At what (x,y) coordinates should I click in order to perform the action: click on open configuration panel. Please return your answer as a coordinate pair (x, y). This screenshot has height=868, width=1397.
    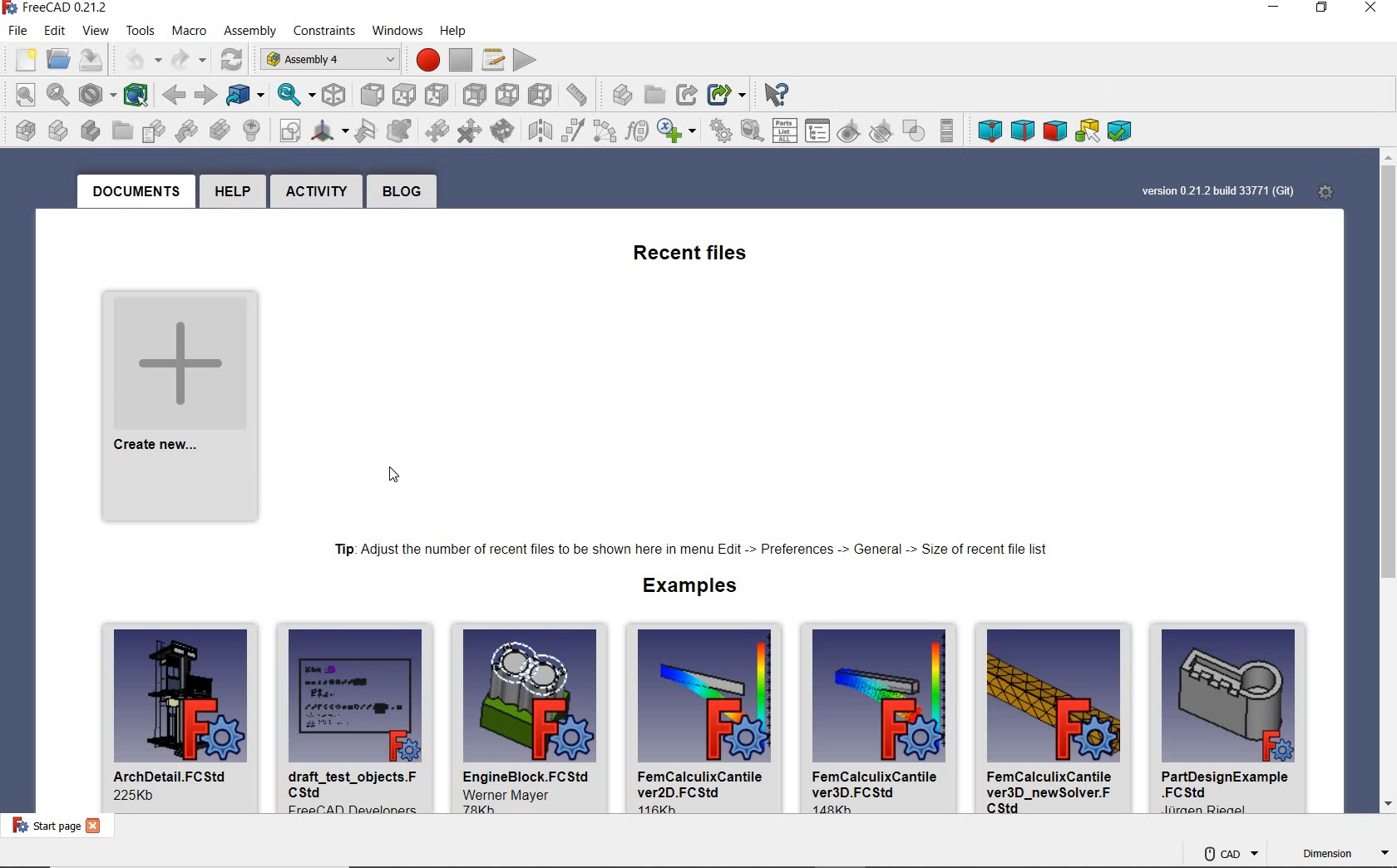
    Looking at the image, I should click on (947, 131).